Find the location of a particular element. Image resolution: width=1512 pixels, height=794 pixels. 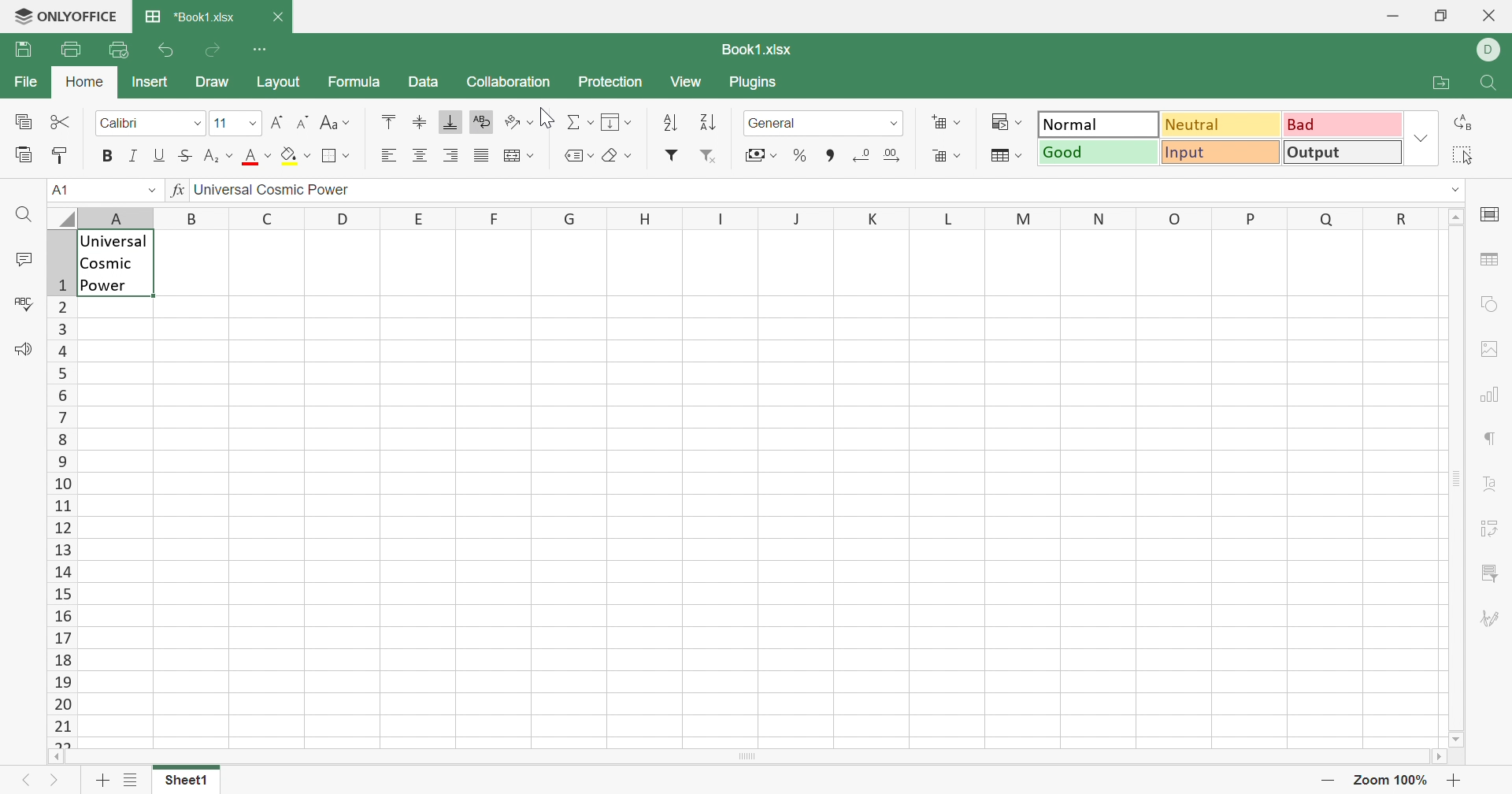

Paragraph settings is located at coordinates (1492, 442).